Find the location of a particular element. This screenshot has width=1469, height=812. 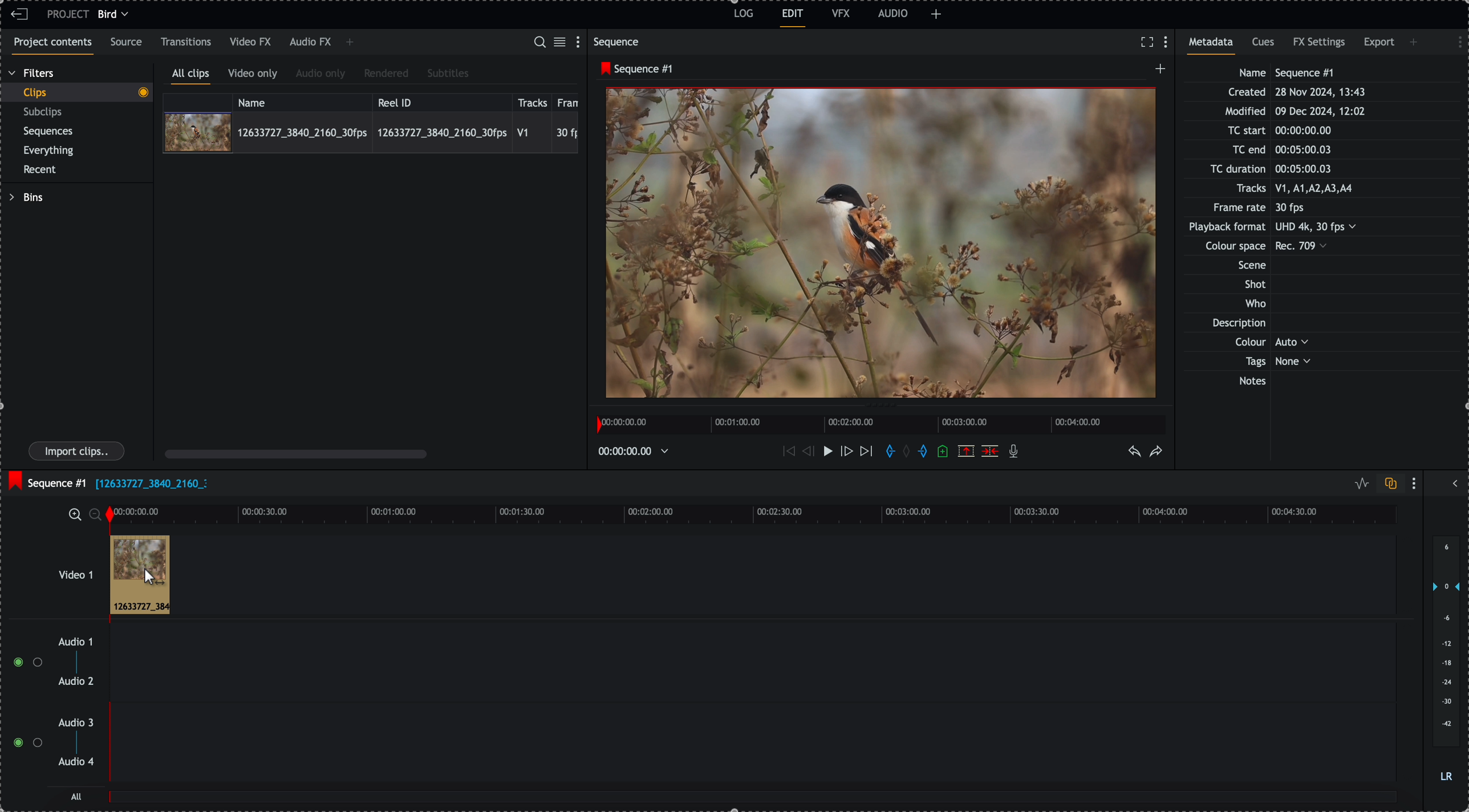

all is located at coordinates (754, 802).